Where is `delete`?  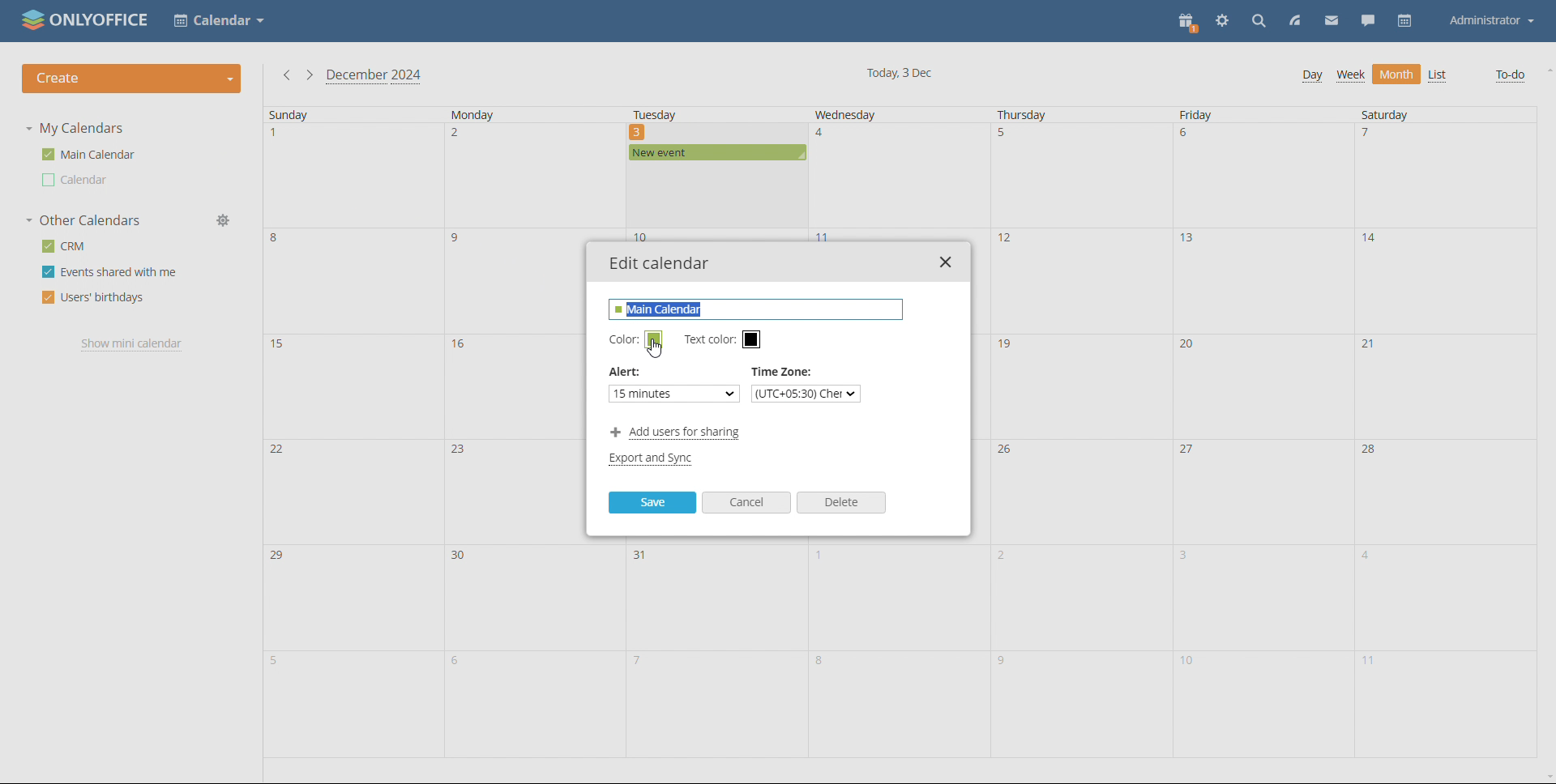 delete is located at coordinates (841, 502).